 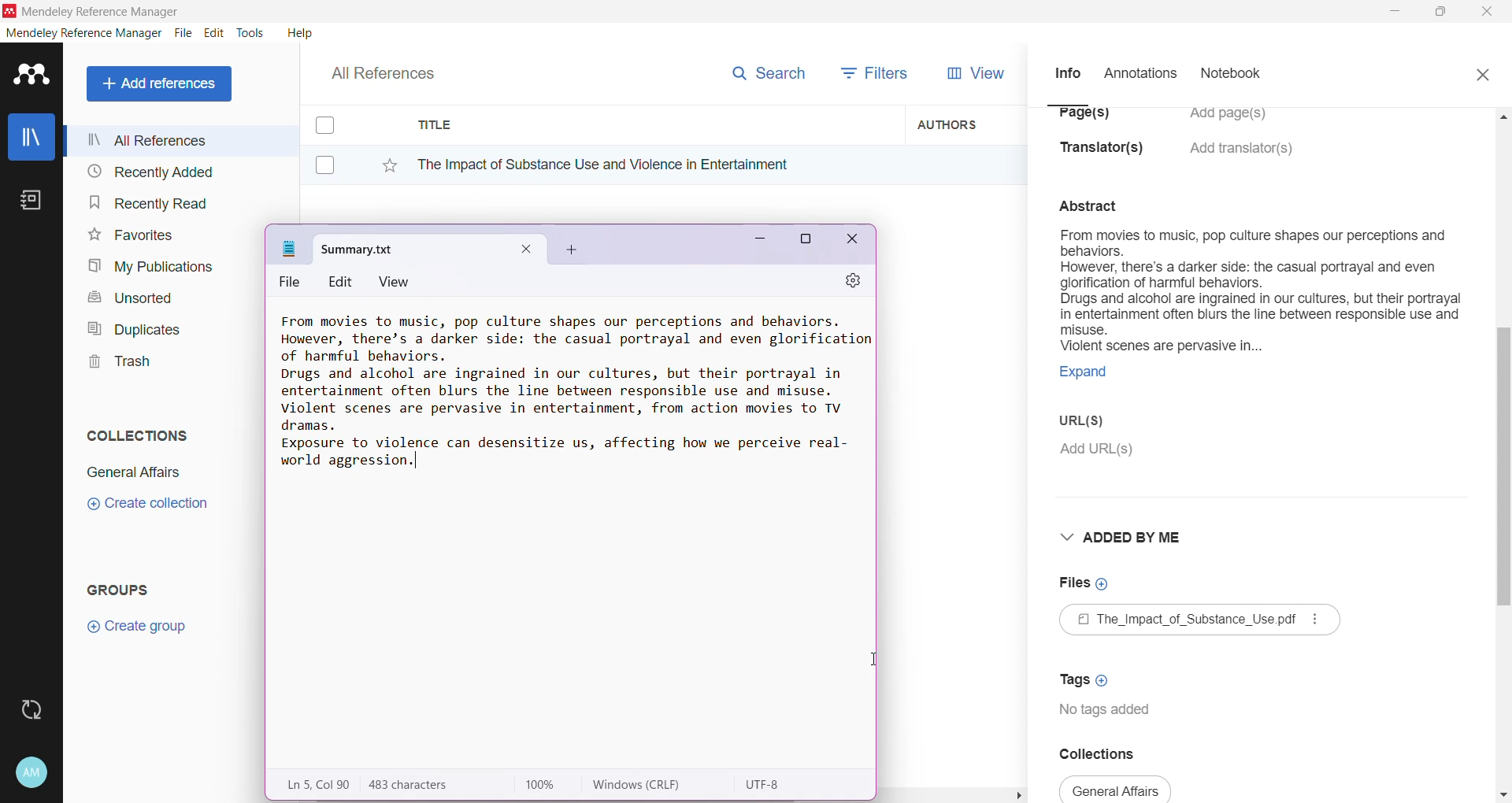 What do you see at coordinates (1488, 13) in the screenshot?
I see `Close` at bounding box center [1488, 13].